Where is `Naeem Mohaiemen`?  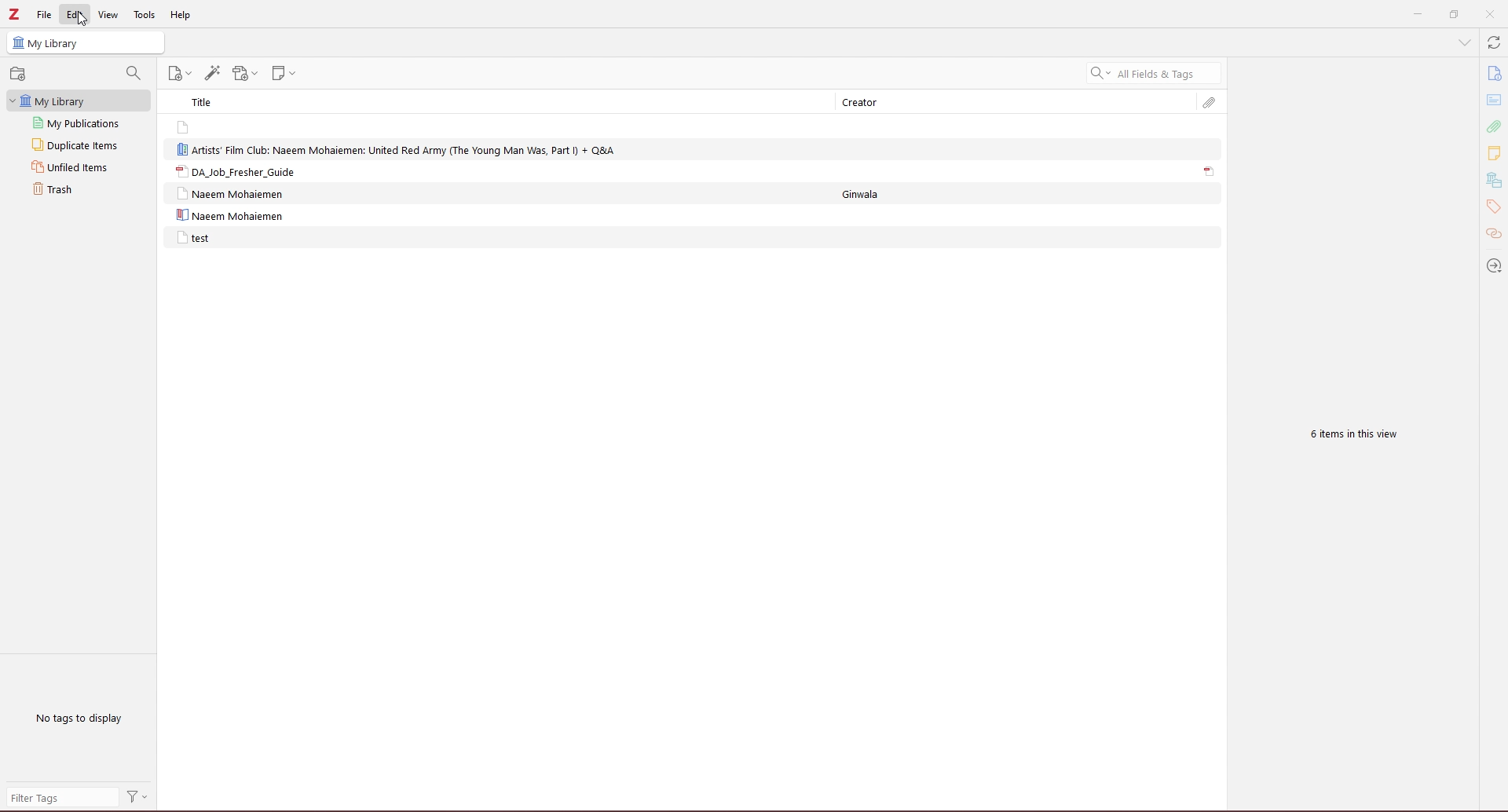 Naeem Mohaiemen is located at coordinates (229, 216).